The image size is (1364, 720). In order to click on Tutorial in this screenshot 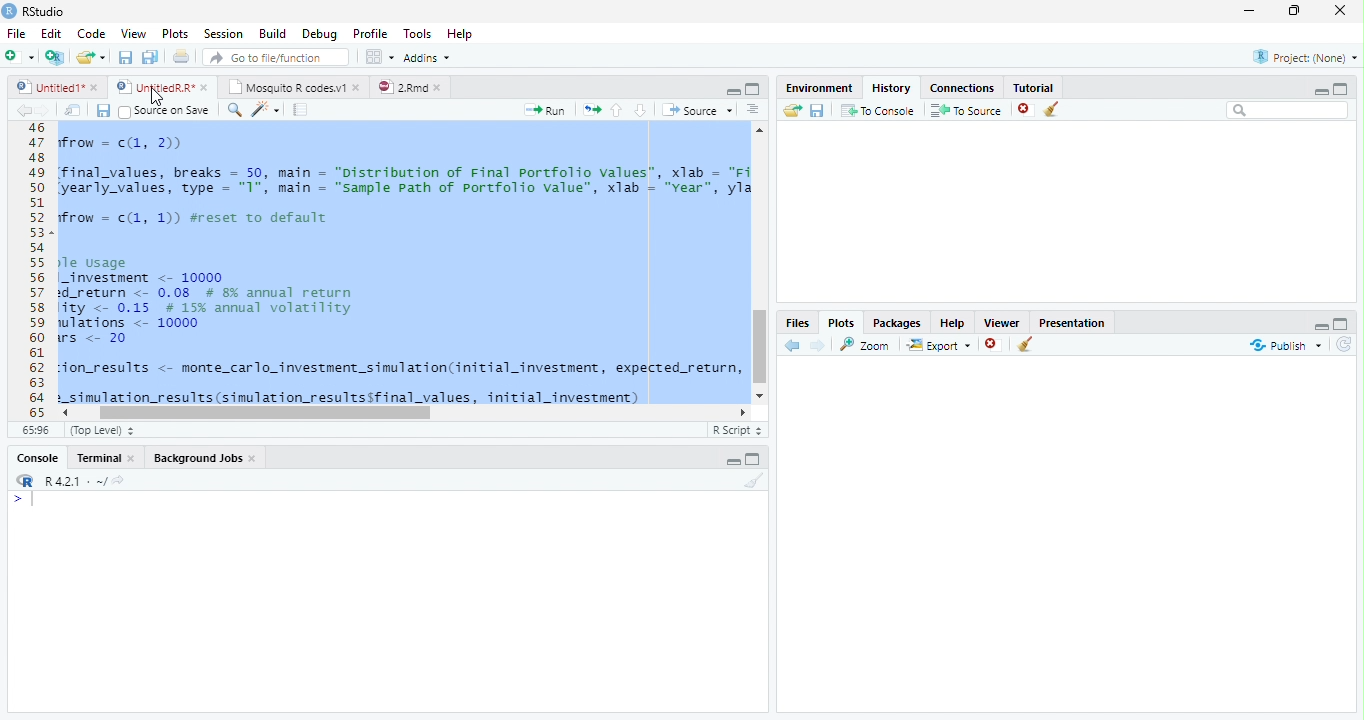, I will do `click(1030, 85)`.